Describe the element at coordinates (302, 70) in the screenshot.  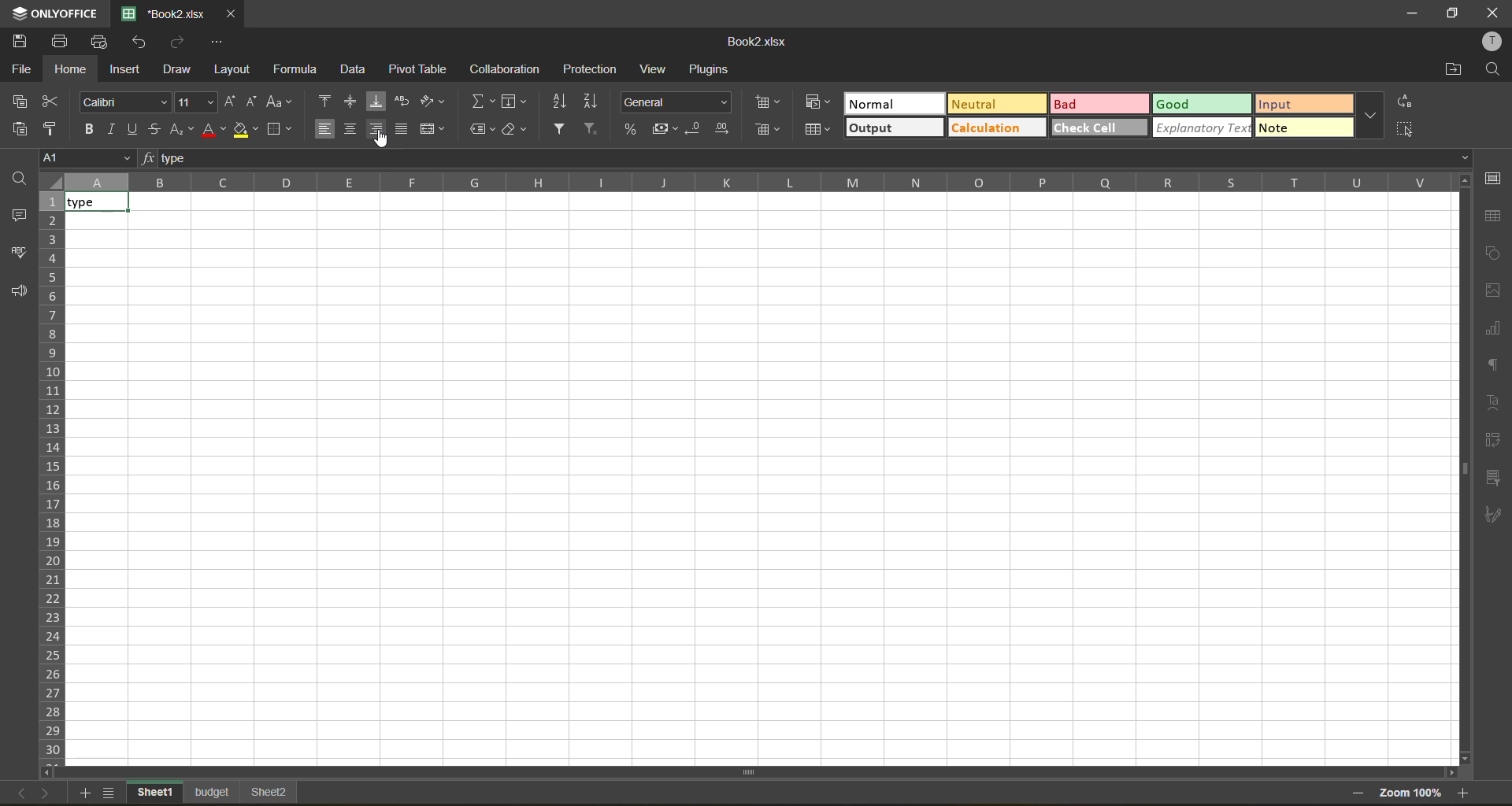
I see `formula` at that location.